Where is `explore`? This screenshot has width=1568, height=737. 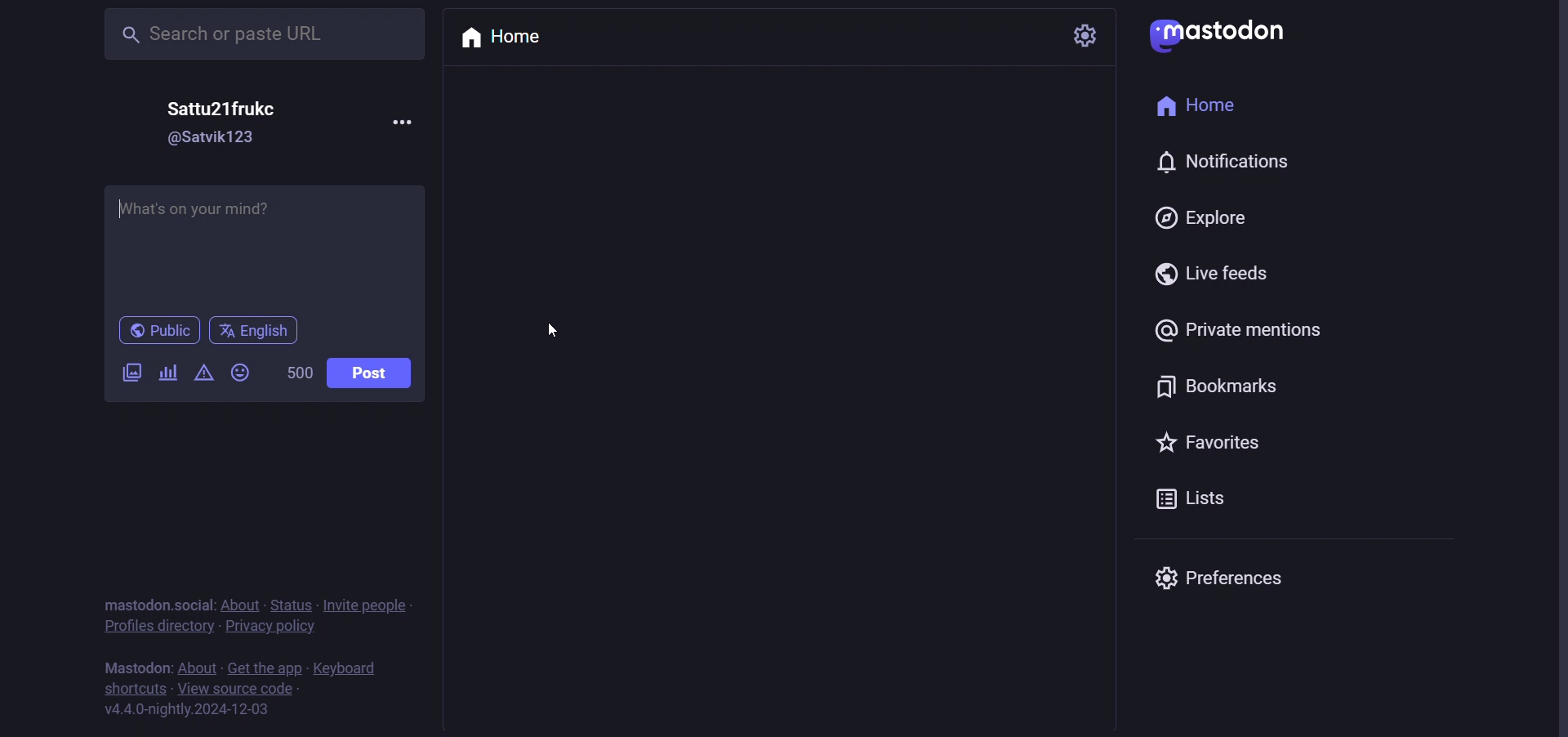
explore is located at coordinates (1204, 220).